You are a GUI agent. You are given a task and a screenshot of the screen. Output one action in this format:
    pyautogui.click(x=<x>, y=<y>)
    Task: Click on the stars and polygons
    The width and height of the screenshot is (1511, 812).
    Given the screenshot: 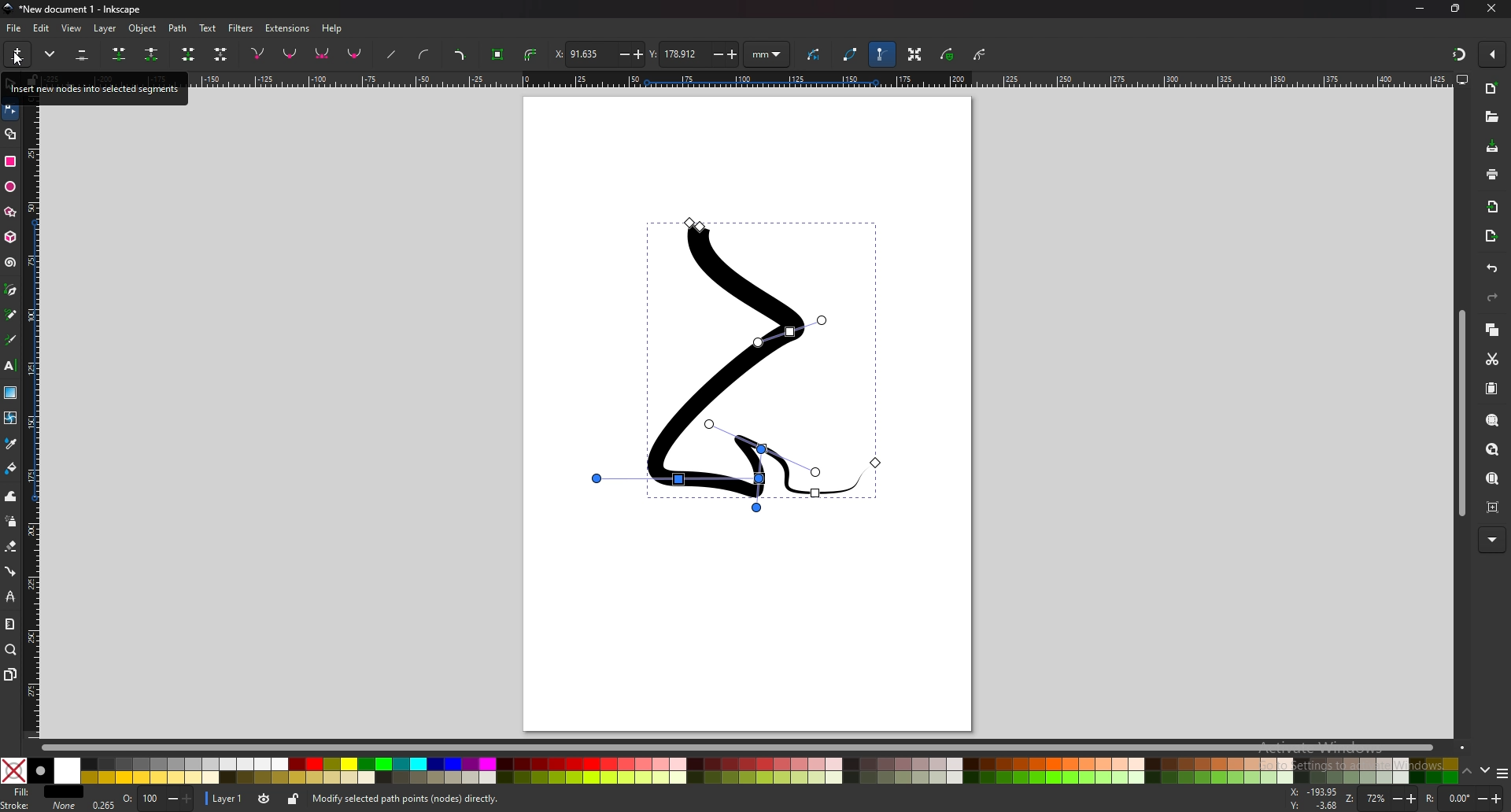 What is the action you would take?
    pyautogui.click(x=9, y=212)
    